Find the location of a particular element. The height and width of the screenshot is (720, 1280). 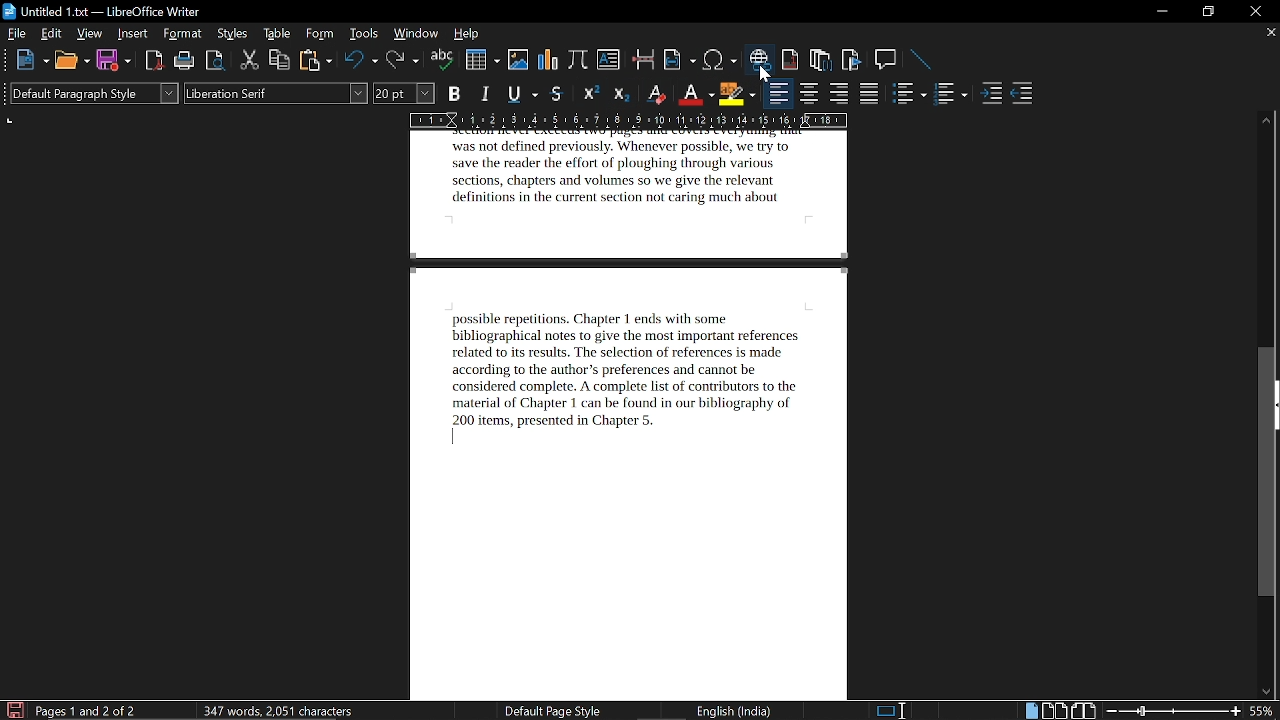

save is located at coordinates (113, 59).